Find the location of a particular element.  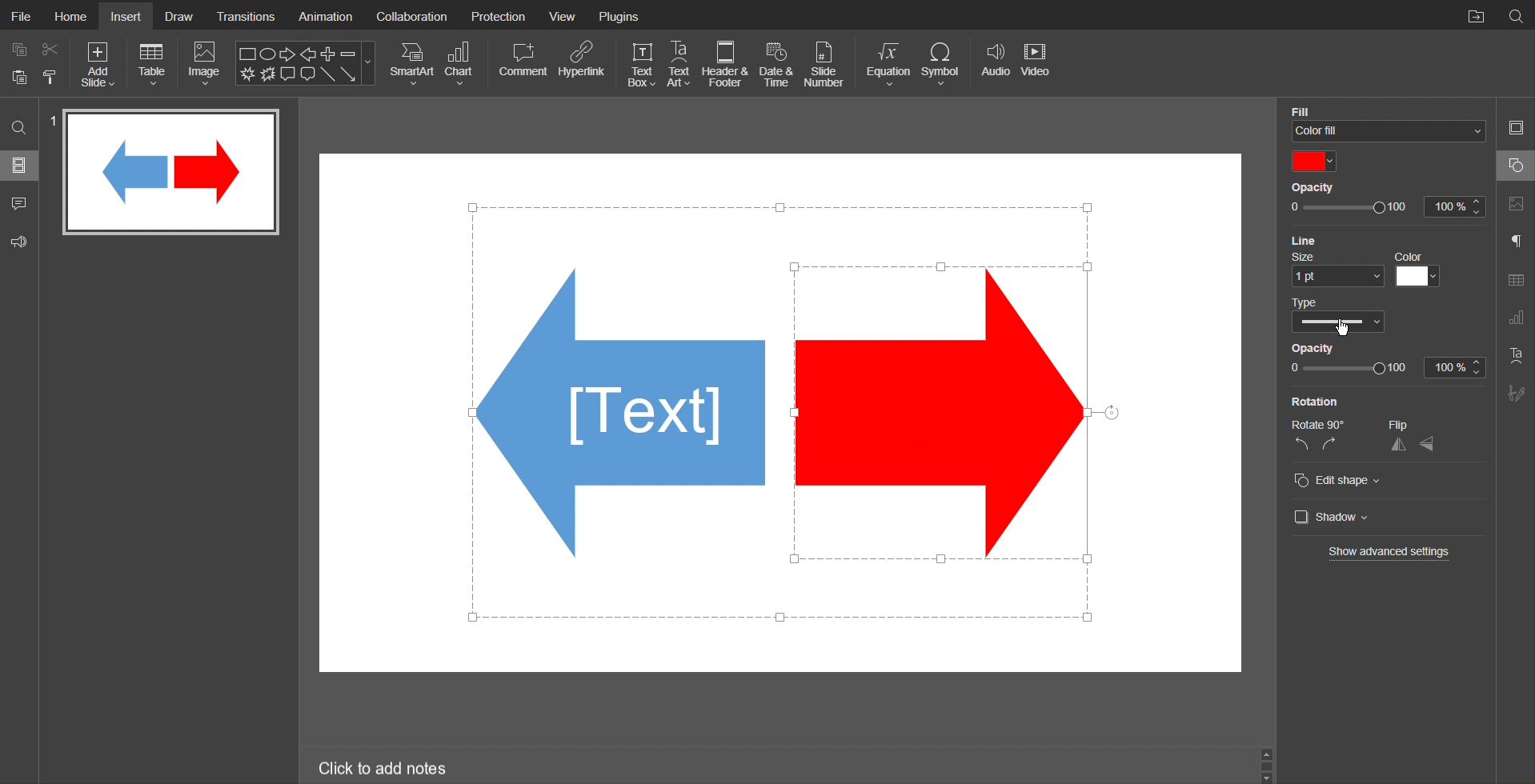

Animation is located at coordinates (325, 14).